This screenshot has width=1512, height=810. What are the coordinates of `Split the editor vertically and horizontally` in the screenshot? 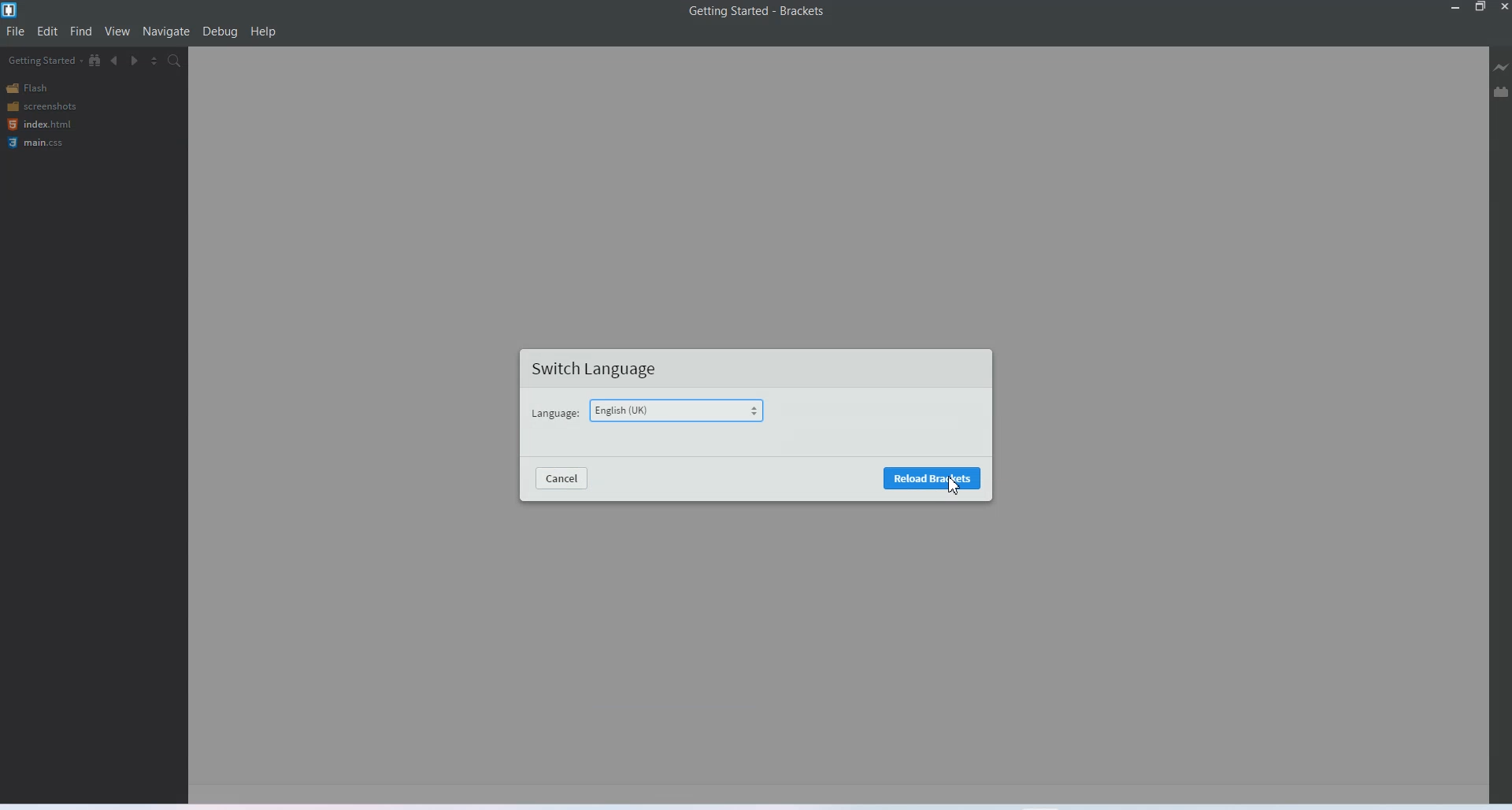 It's located at (154, 61).